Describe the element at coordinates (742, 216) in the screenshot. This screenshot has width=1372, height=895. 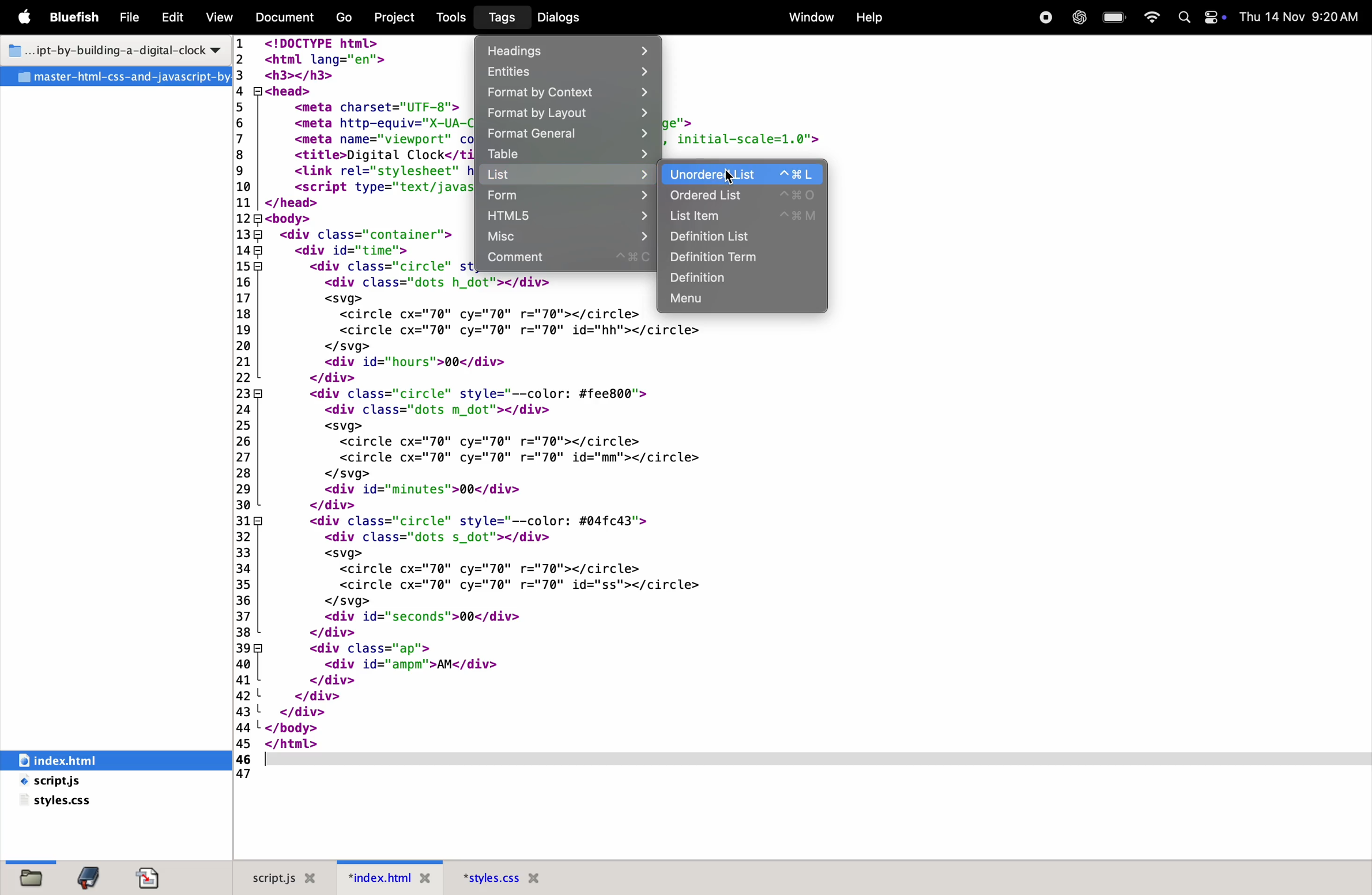
I see `list utem` at that location.